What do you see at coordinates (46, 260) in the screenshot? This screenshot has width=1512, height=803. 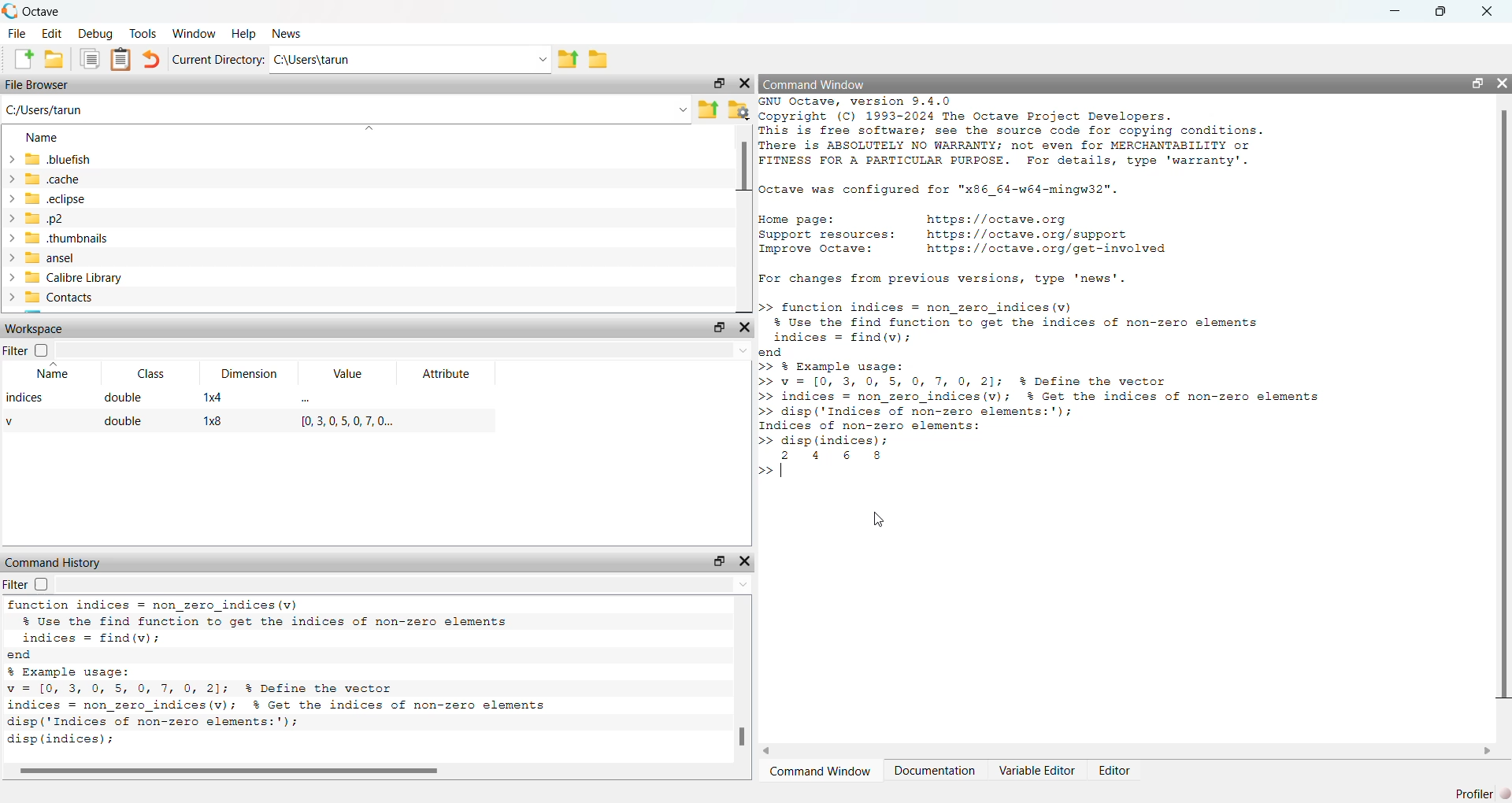 I see `ansel` at bounding box center [46, 260].